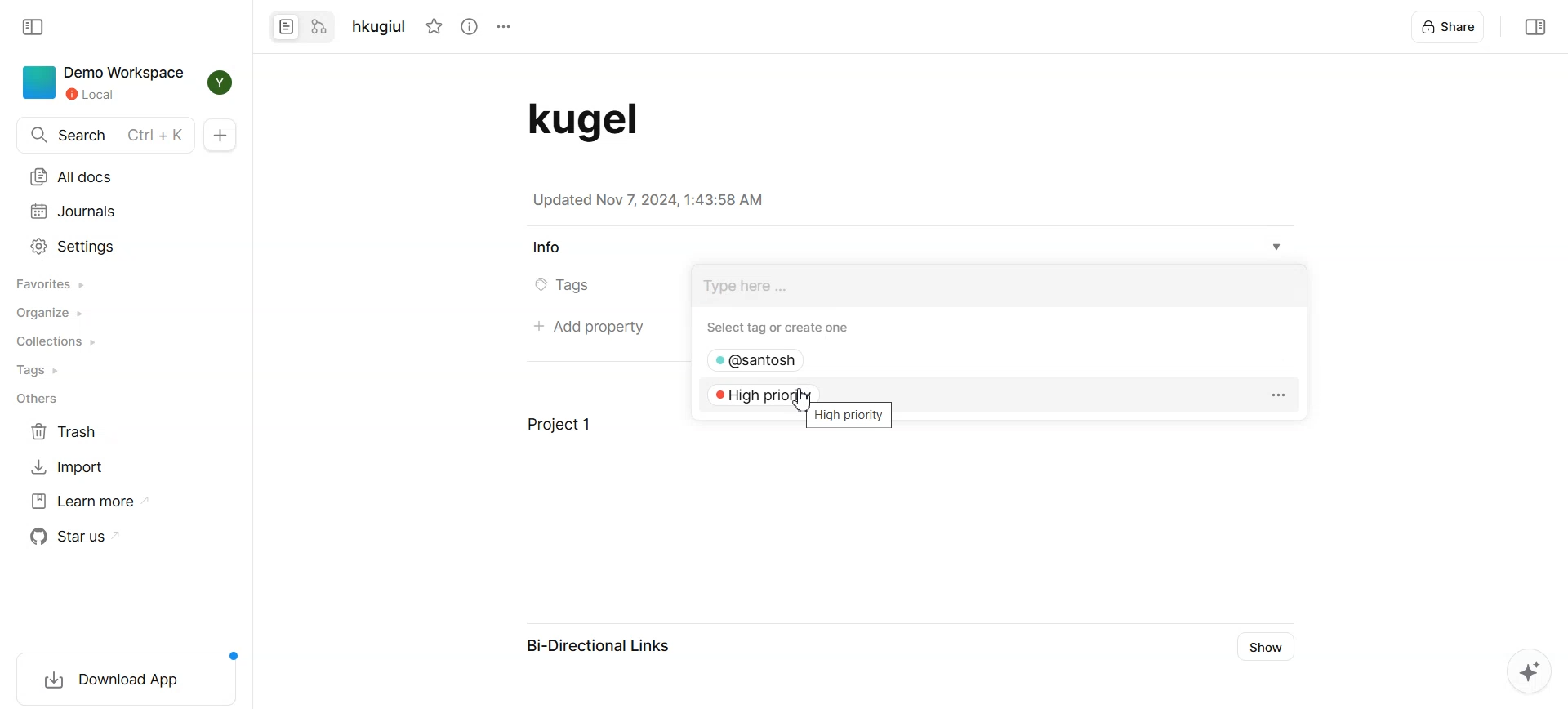  What do you see at coordinates (41, 399) in the screenshot?
I see `Others` at bounding box center [41, 399].